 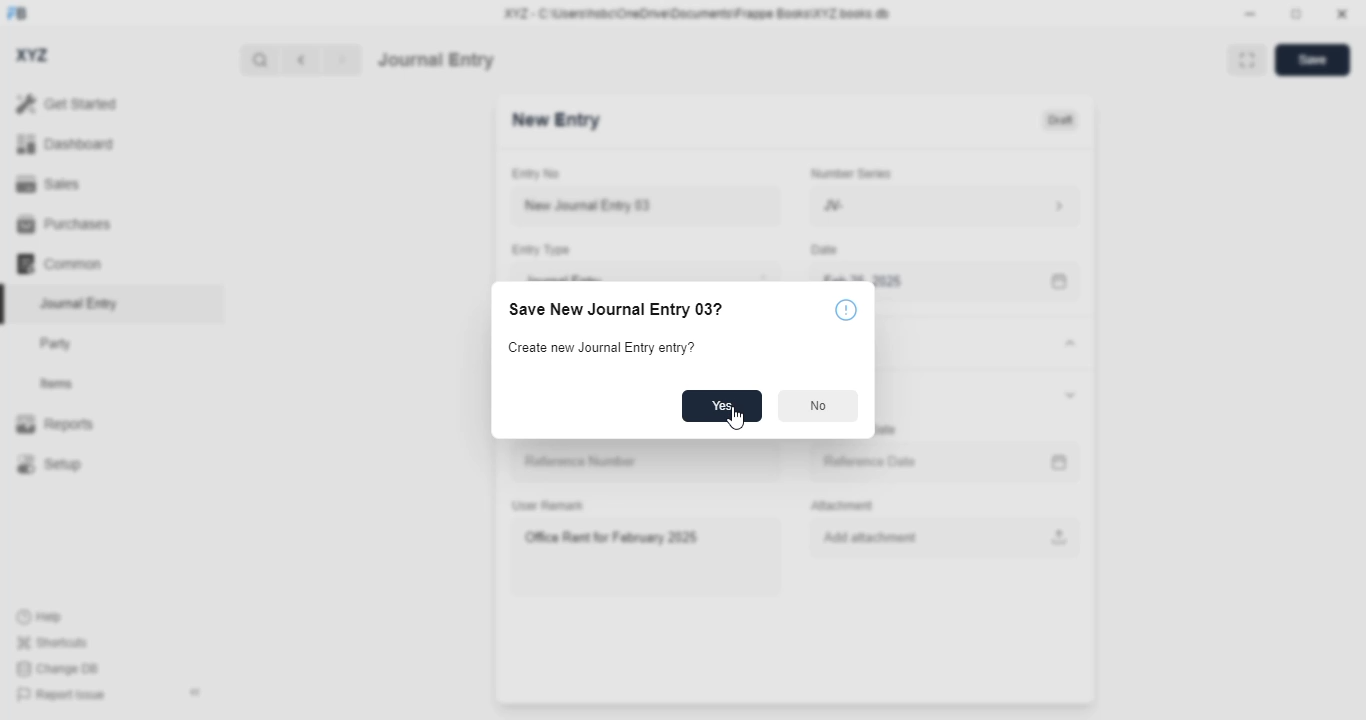 What do you see at coordinates (536, 174) in the screenshot?
I see `entry no` at bounding box center [536, 174].